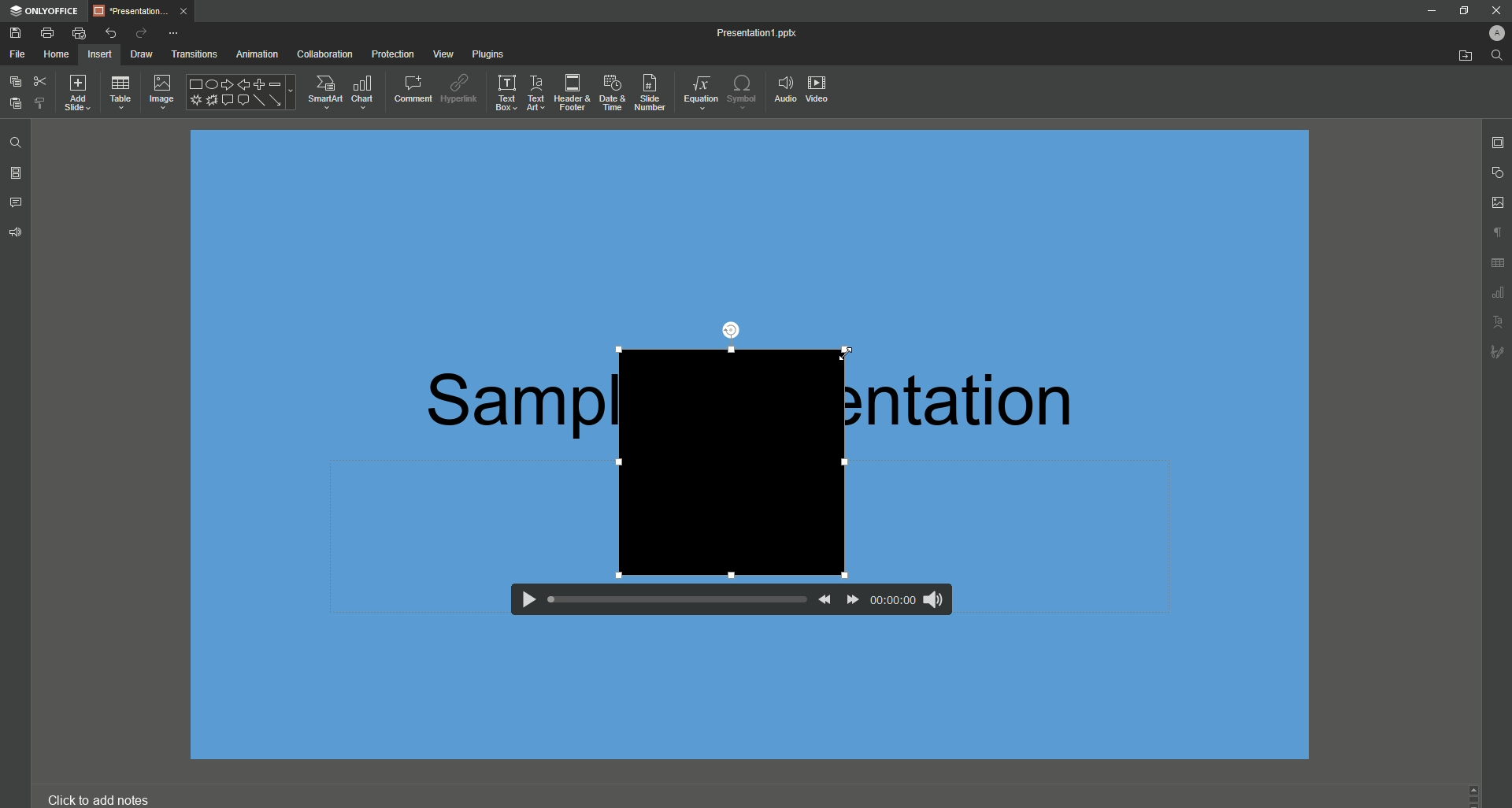 The width and height of the screenshot is (1512, 808). I want to click on Protection, so click(393, 54).